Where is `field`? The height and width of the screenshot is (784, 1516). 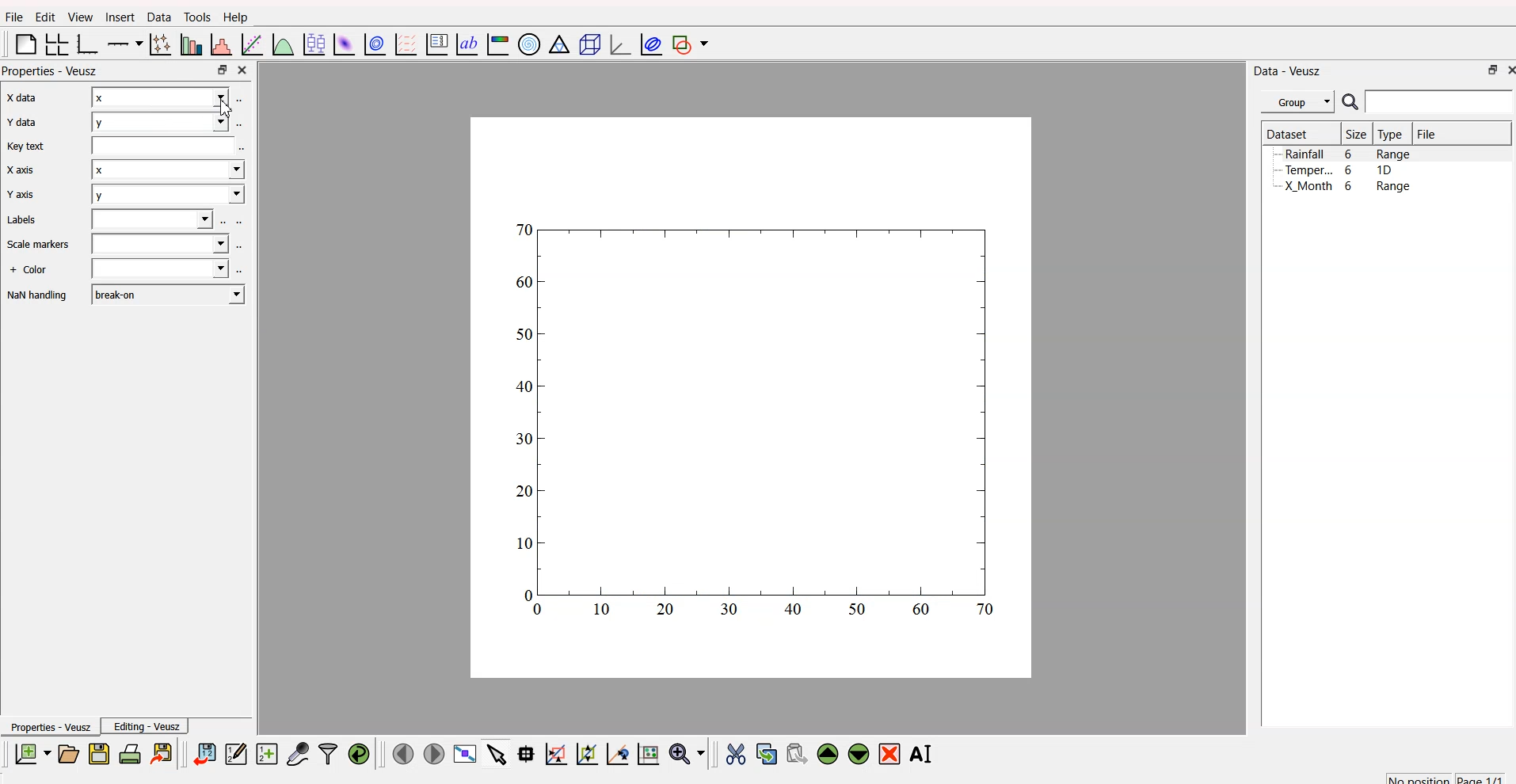 field is located at coordinates (163, 244).